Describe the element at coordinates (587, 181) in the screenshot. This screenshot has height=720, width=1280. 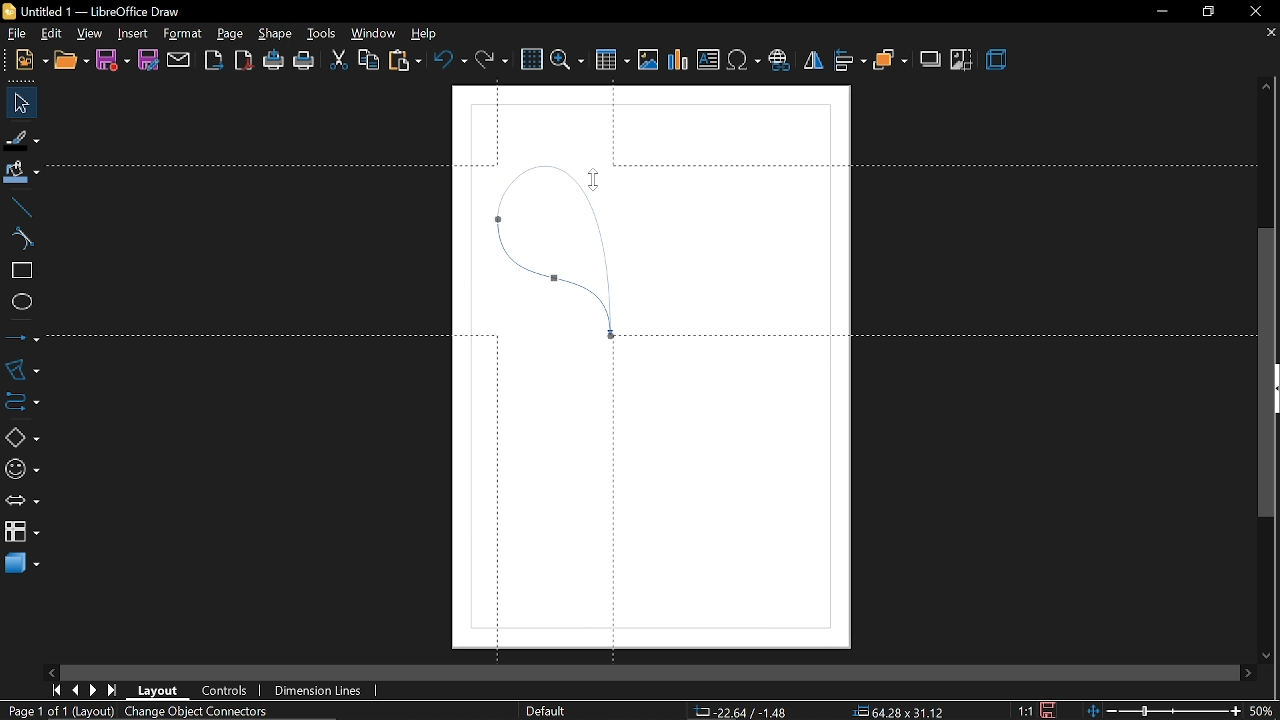
I see `Cursor` at that location.